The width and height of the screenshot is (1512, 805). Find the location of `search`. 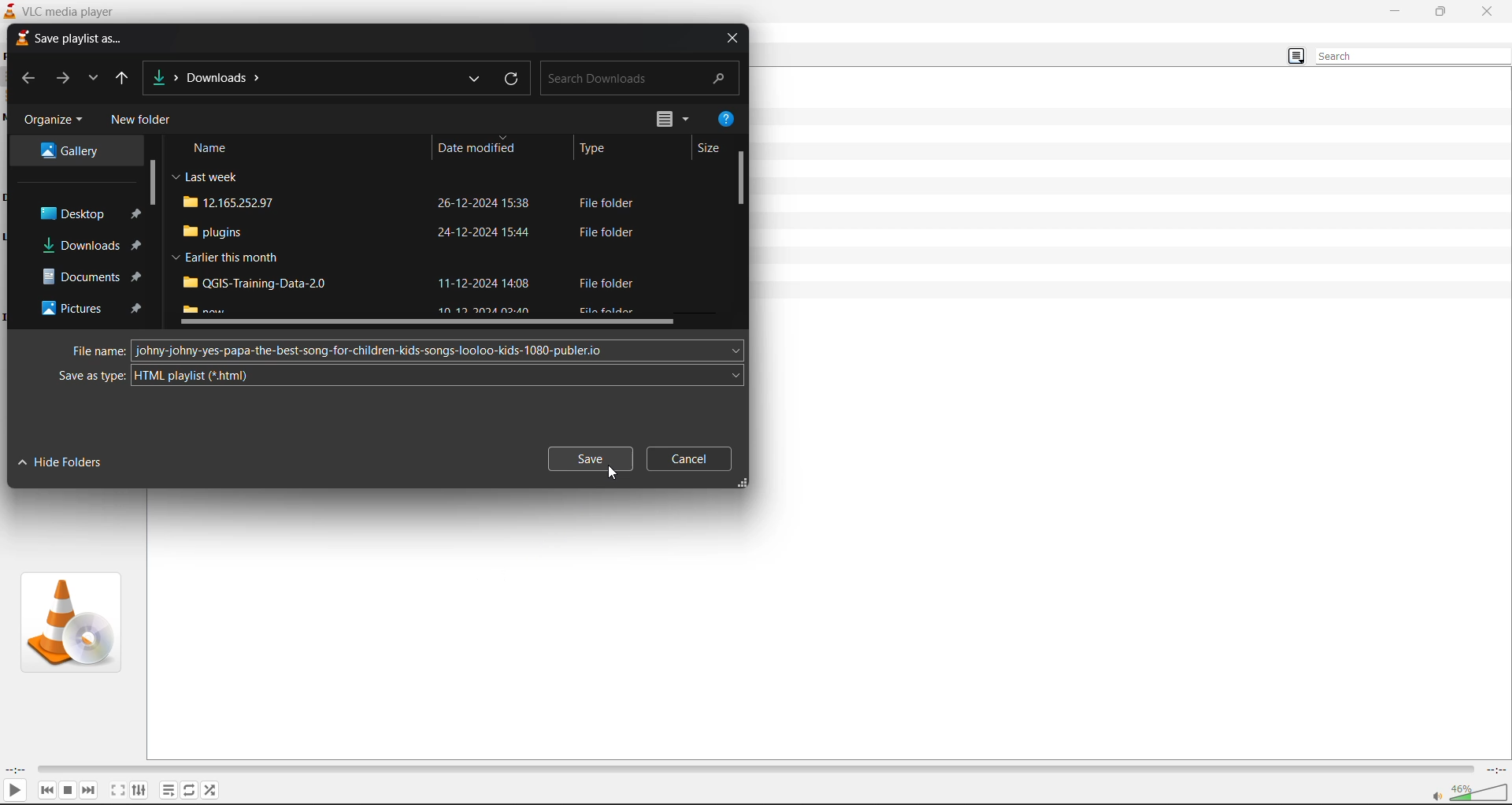

search is located at coordinates (639, 76).